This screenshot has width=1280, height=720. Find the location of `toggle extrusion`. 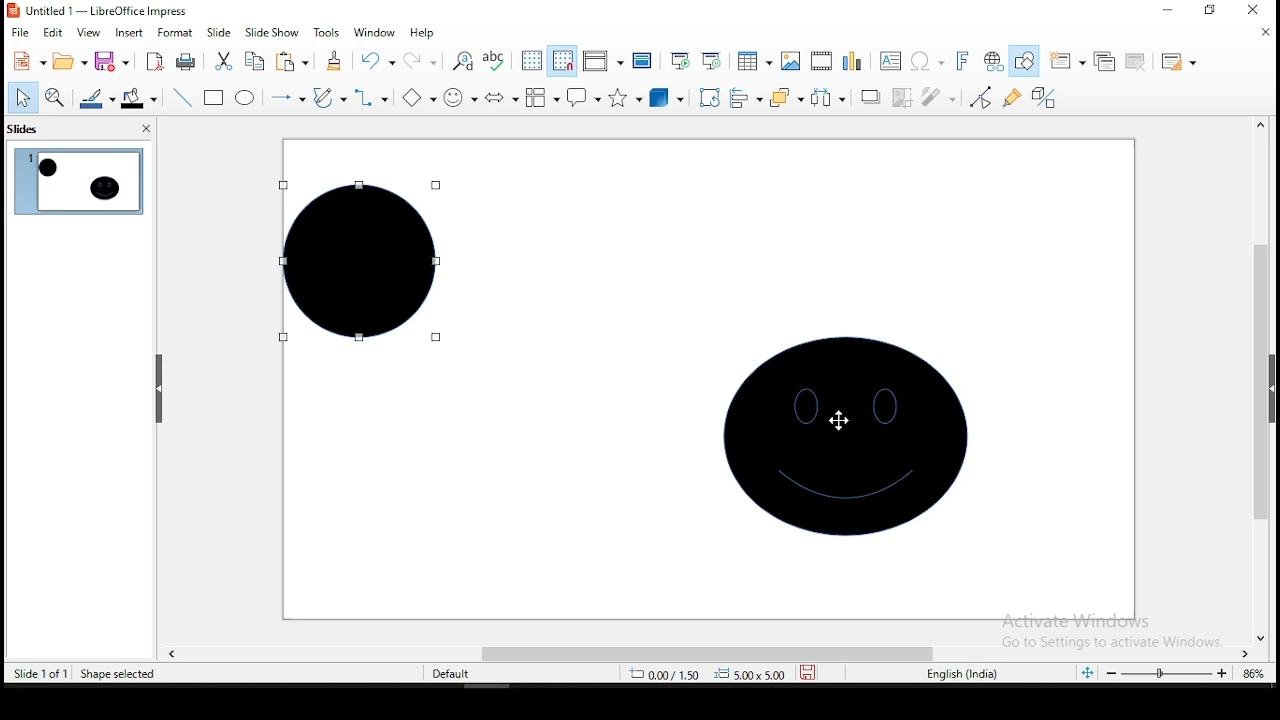

toggle extrusion is located at coordinates (1044, 100).